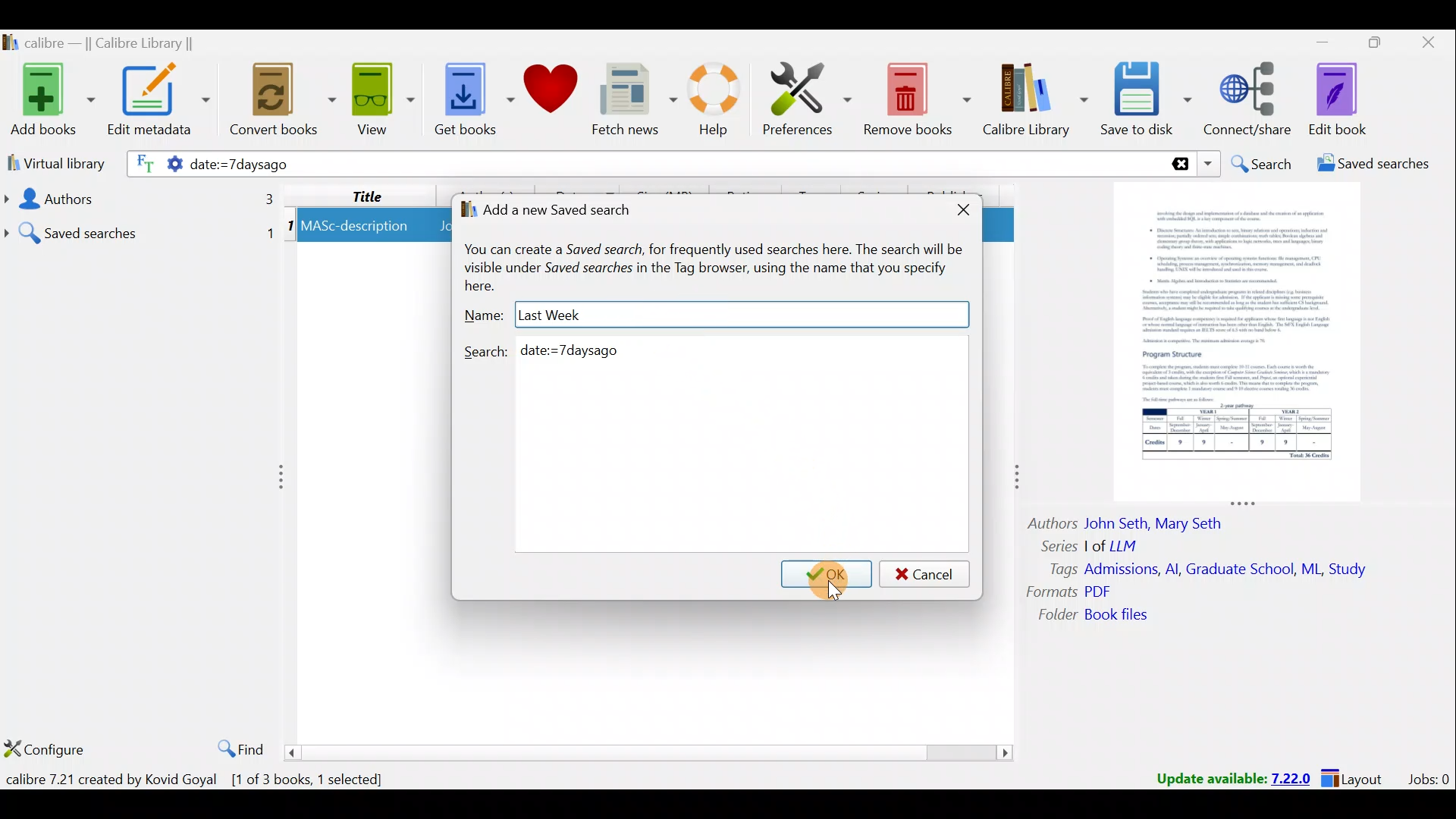  What do you see at coordinates (1350, 99) in the screenshot?
I see `Edit book` at bounding box center [1350, 99].